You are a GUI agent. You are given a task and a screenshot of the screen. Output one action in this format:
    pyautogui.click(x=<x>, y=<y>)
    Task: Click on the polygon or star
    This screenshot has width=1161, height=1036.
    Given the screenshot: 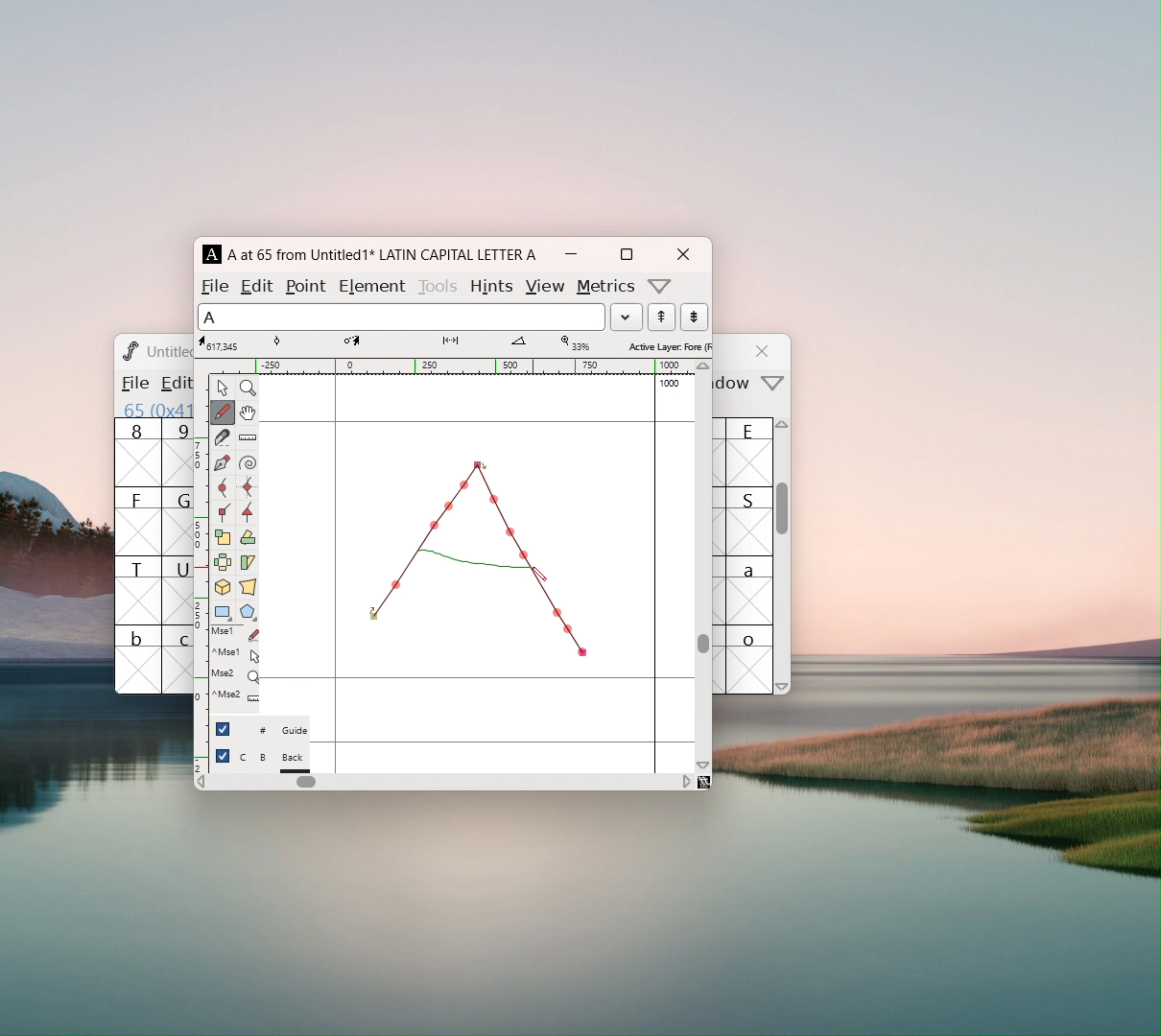 What is the action you would take?
    pyautogui.click(x=249, y=614)
    